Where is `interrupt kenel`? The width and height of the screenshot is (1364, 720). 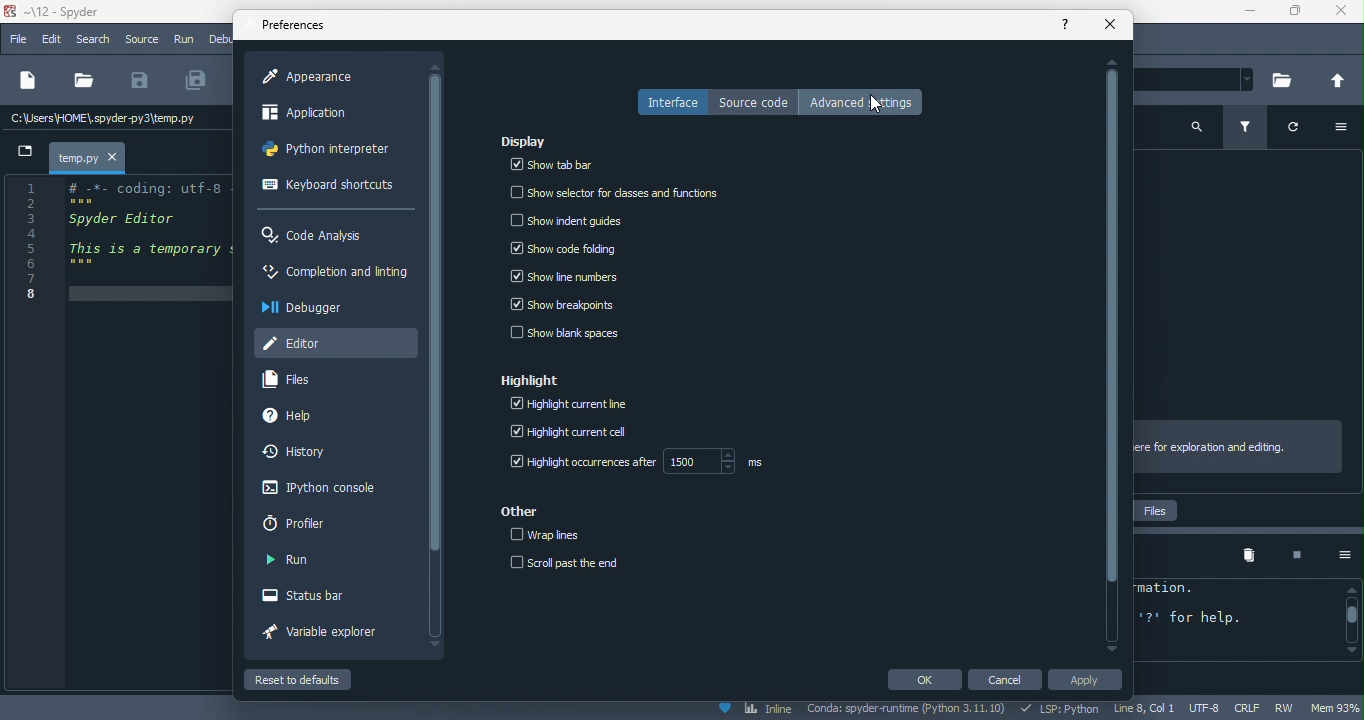
interrupt kenel is located at coordinates (1289, 556).